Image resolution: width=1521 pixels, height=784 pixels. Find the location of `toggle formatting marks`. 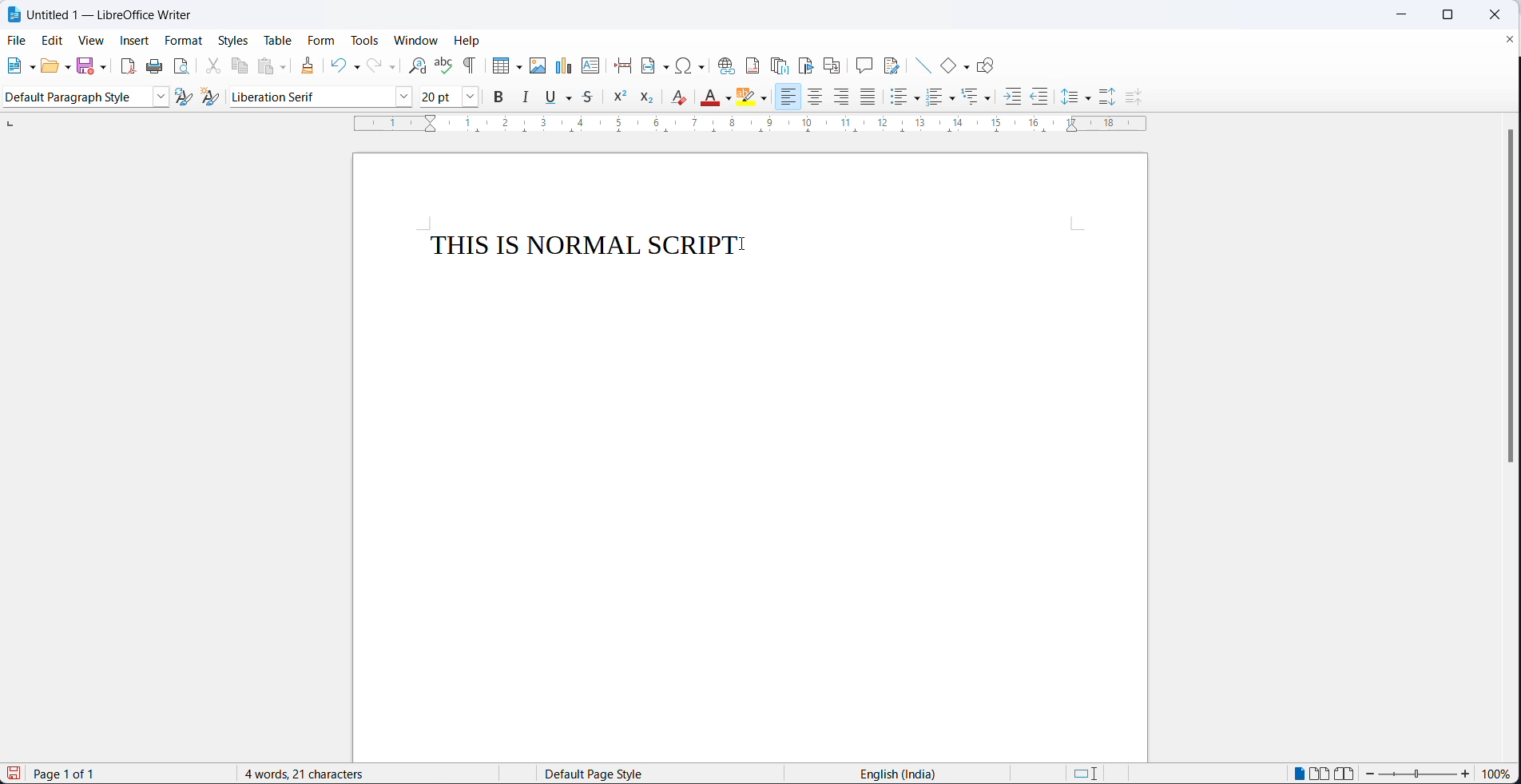

toggle formatting marks is located at coordinates (471, 65).